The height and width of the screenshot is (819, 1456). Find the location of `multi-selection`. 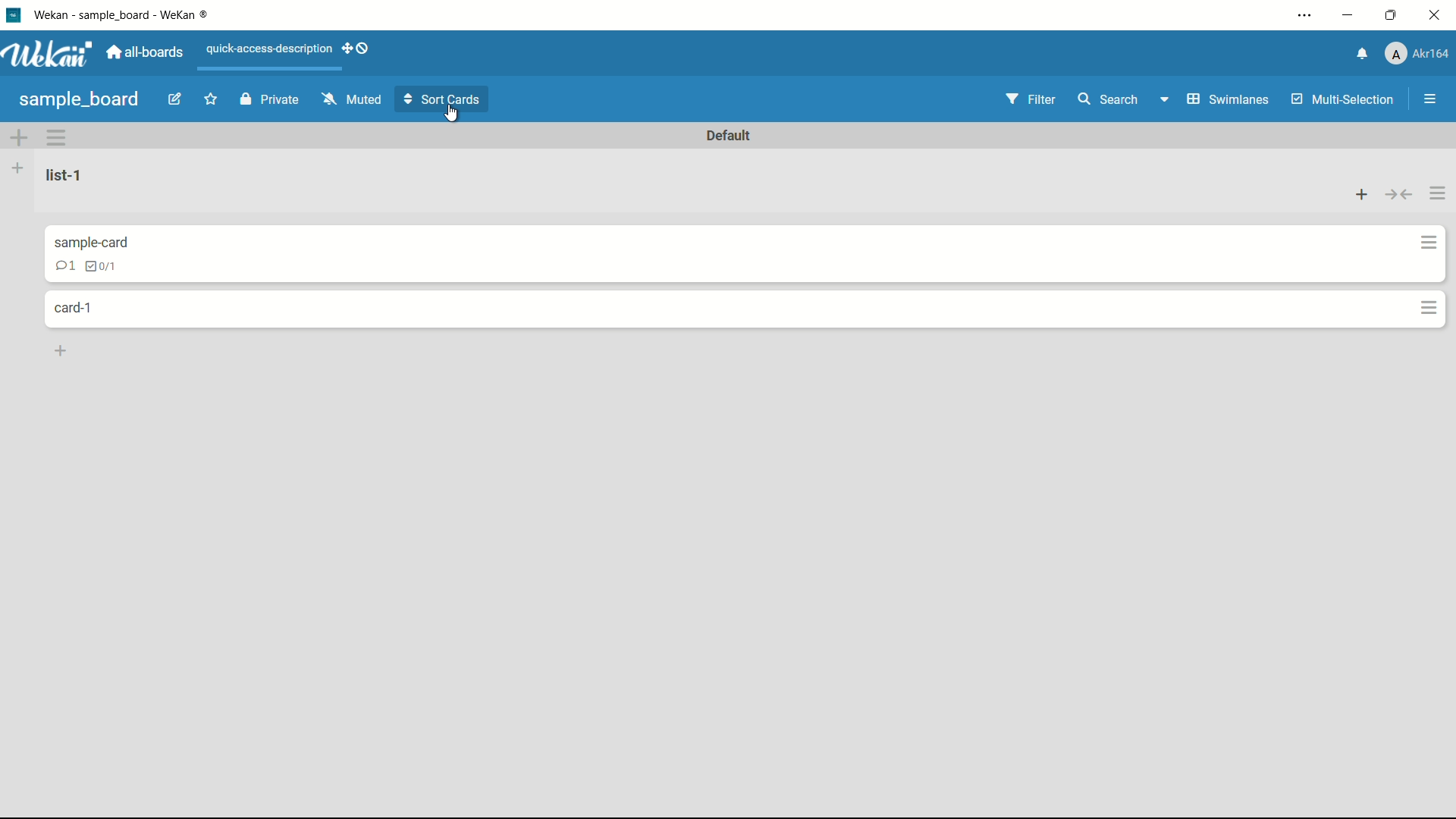

multi-selection is located at coordinates (1344, 100).